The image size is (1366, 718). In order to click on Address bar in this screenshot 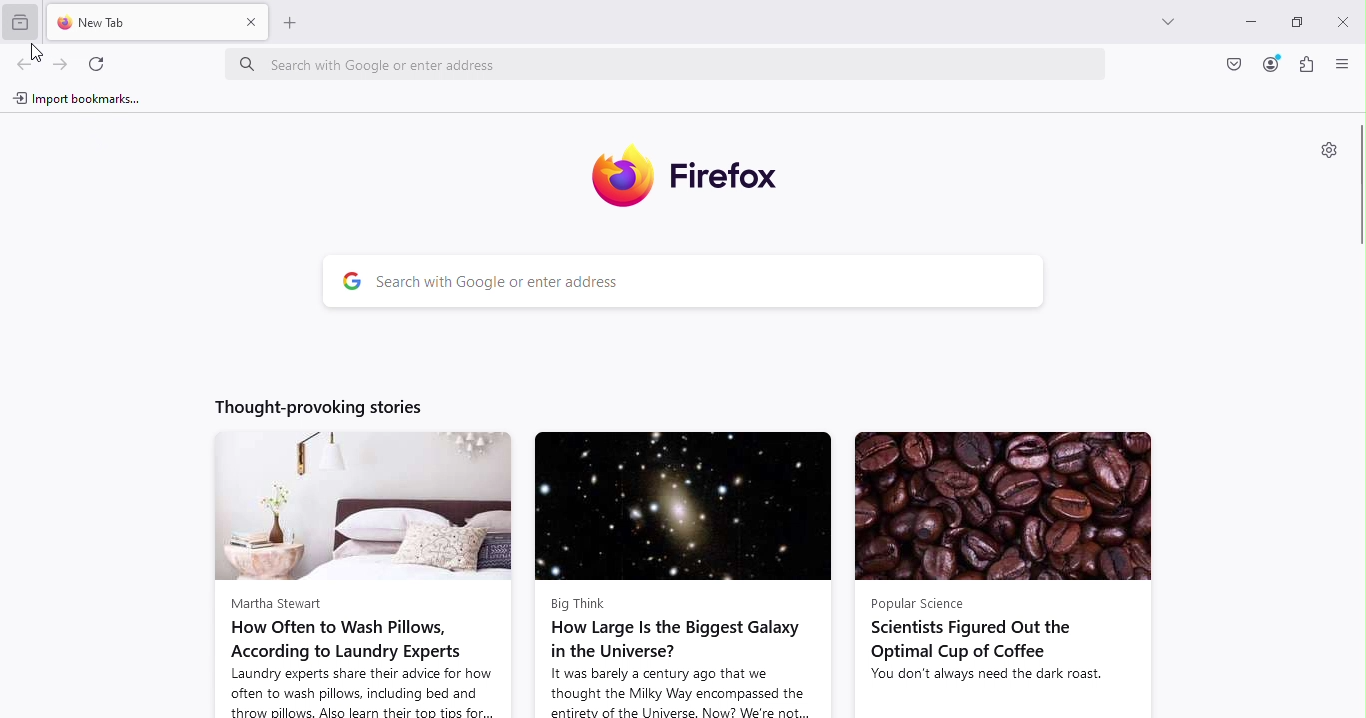, I will do `click(663, 61)`.